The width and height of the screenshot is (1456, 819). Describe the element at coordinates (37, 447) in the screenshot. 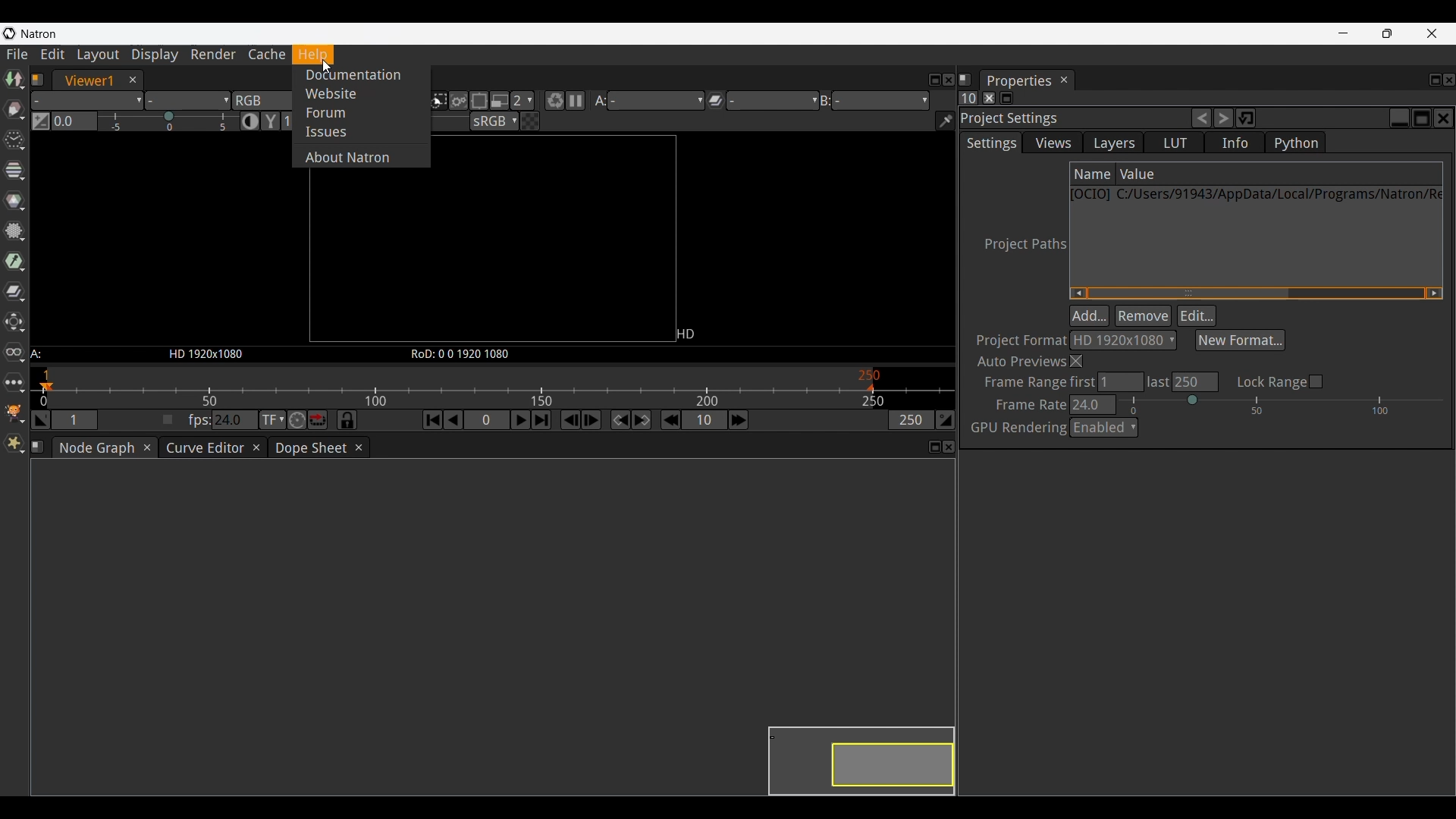

I see `Information about pane 3` at that location.